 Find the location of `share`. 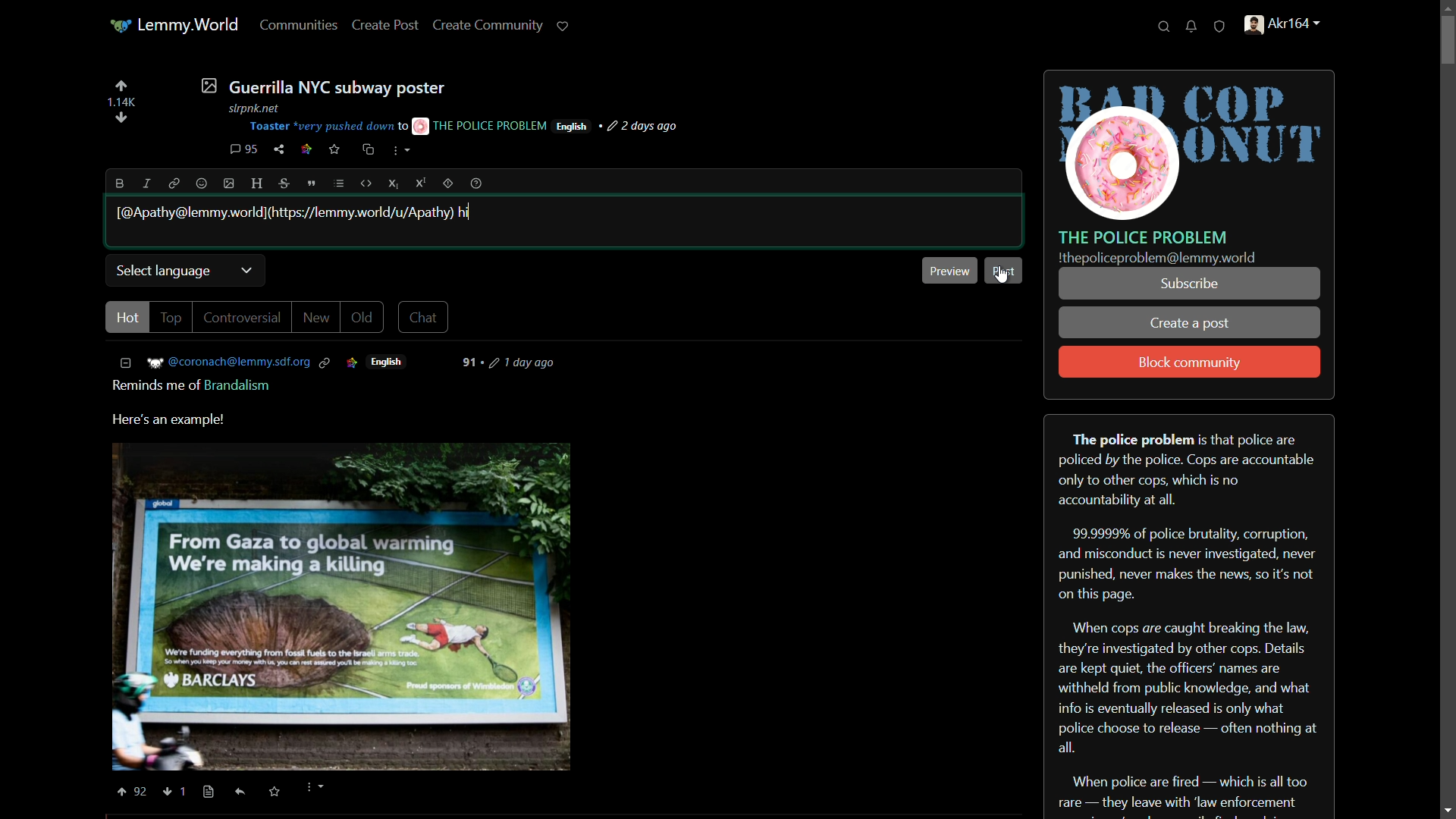

share is located at coordinates (279, 149).